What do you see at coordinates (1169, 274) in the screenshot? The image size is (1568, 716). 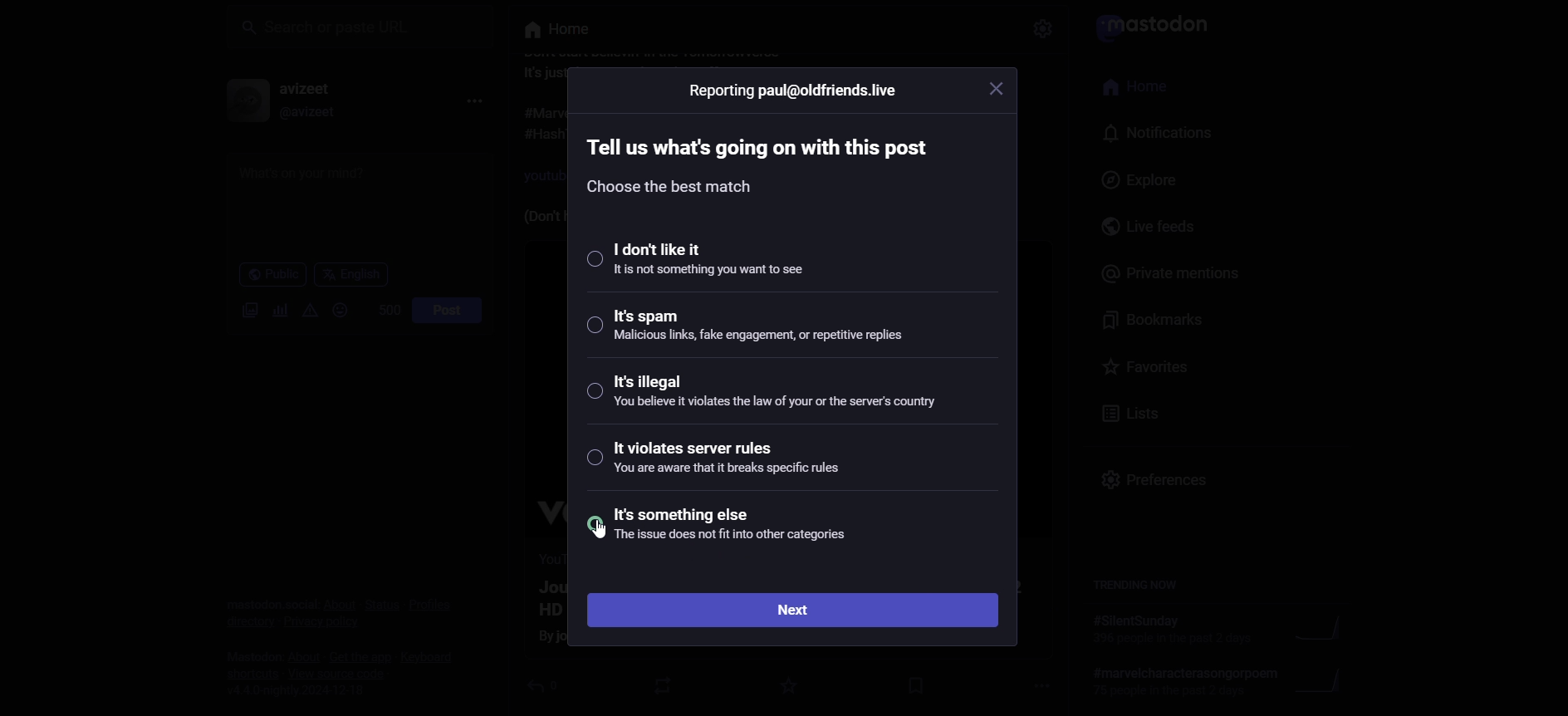 I see `private mentions` at bounding box center [1169, 274].